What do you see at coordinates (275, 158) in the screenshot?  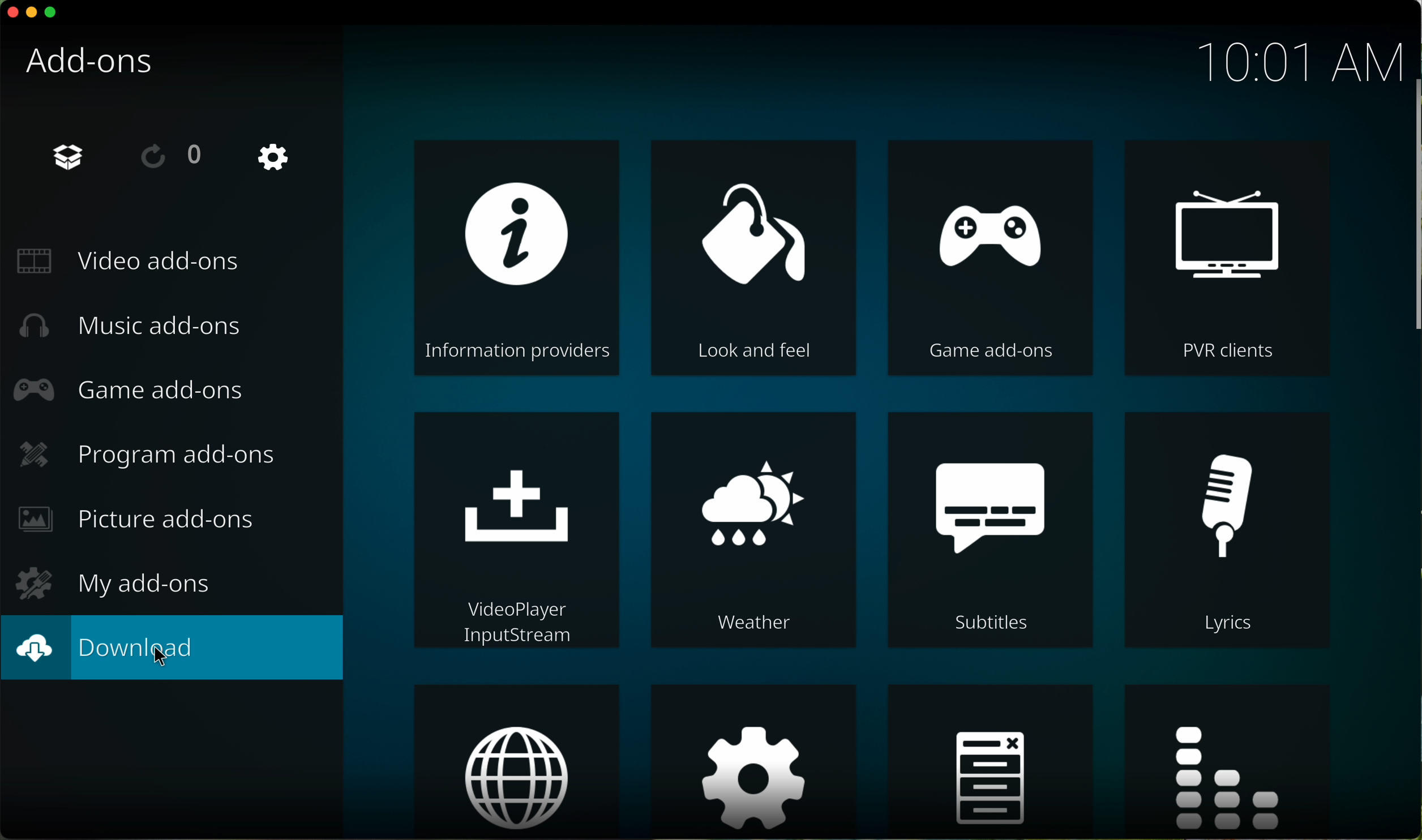 I see `settings` at bounding box center [275, 158].